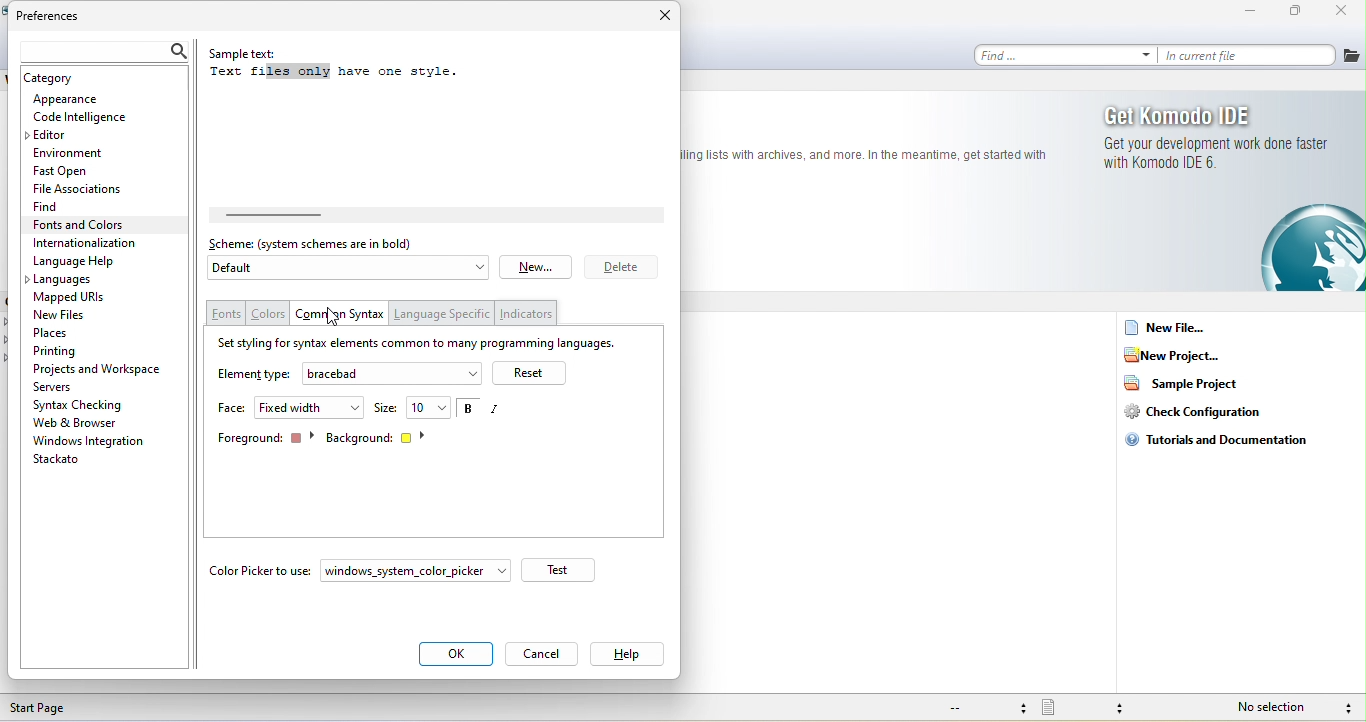 Image resolution: width=1366 pixels, height=722 pixels. I want to click on help, so click(631, 655).